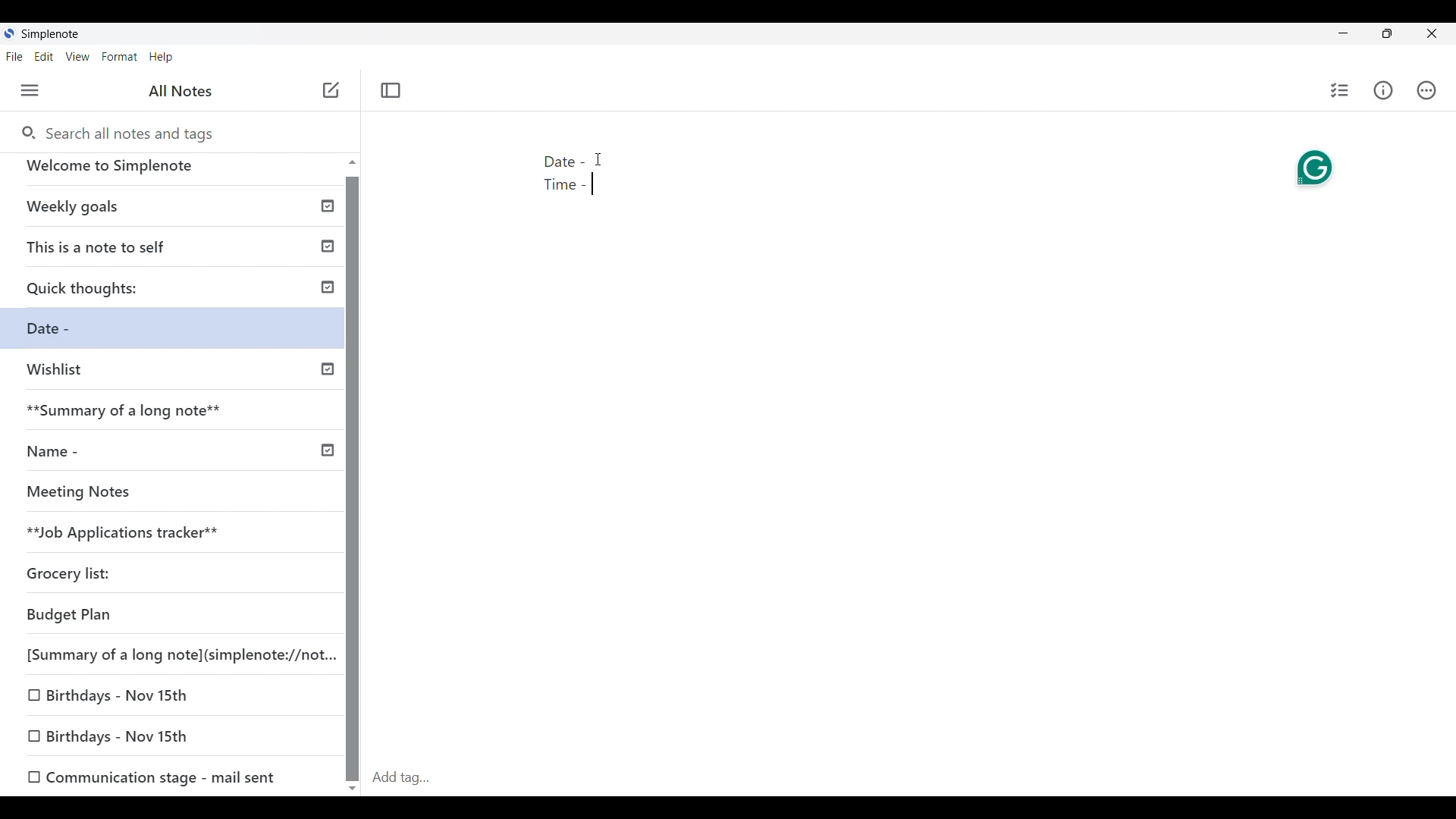 The height and width of the screenshot is (819, 1456). I want to click on Actions, so click(1426, 90).